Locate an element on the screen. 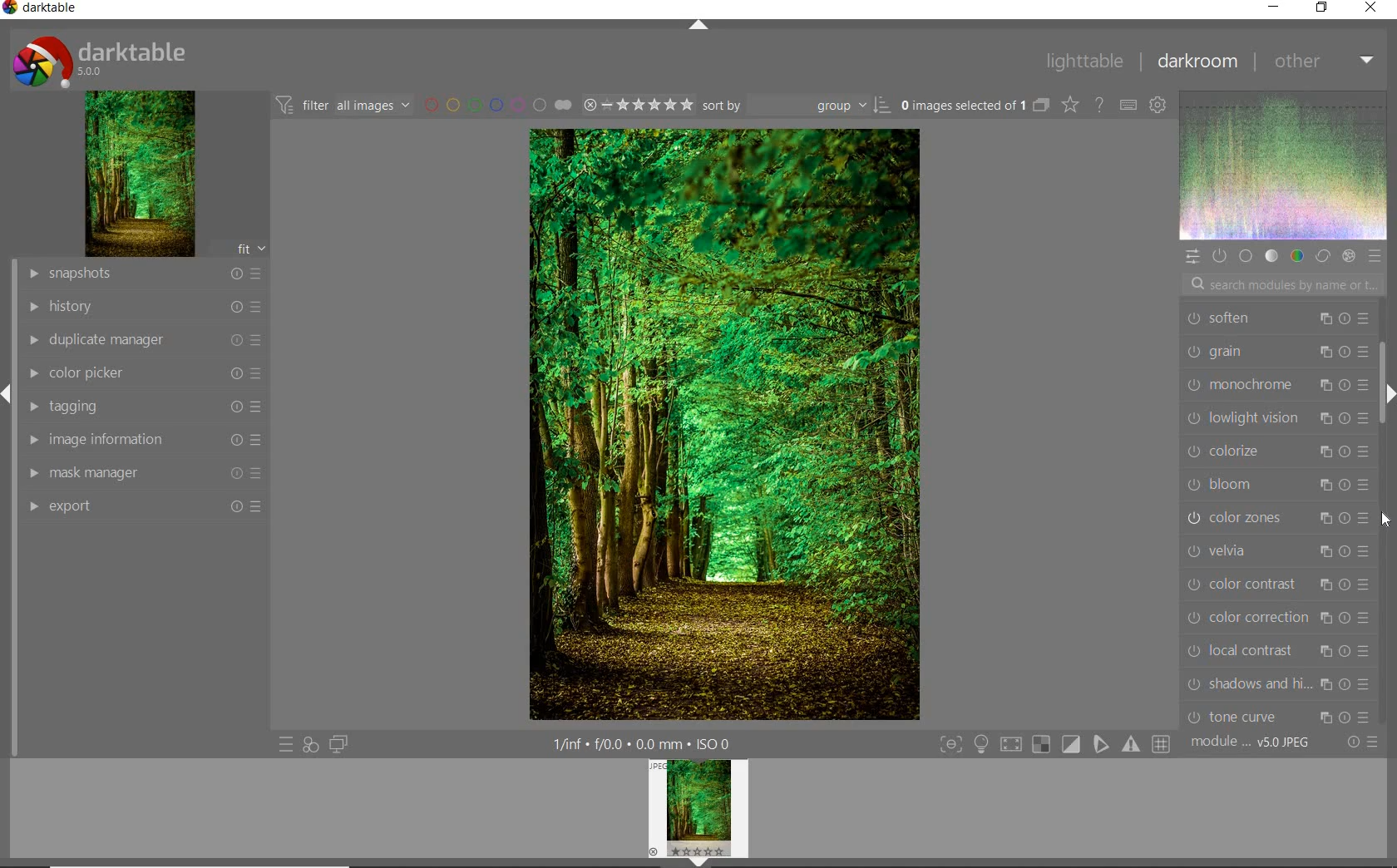  SHOW ONLY ACTIVE MODULE is located at coordinates (1220, 255).